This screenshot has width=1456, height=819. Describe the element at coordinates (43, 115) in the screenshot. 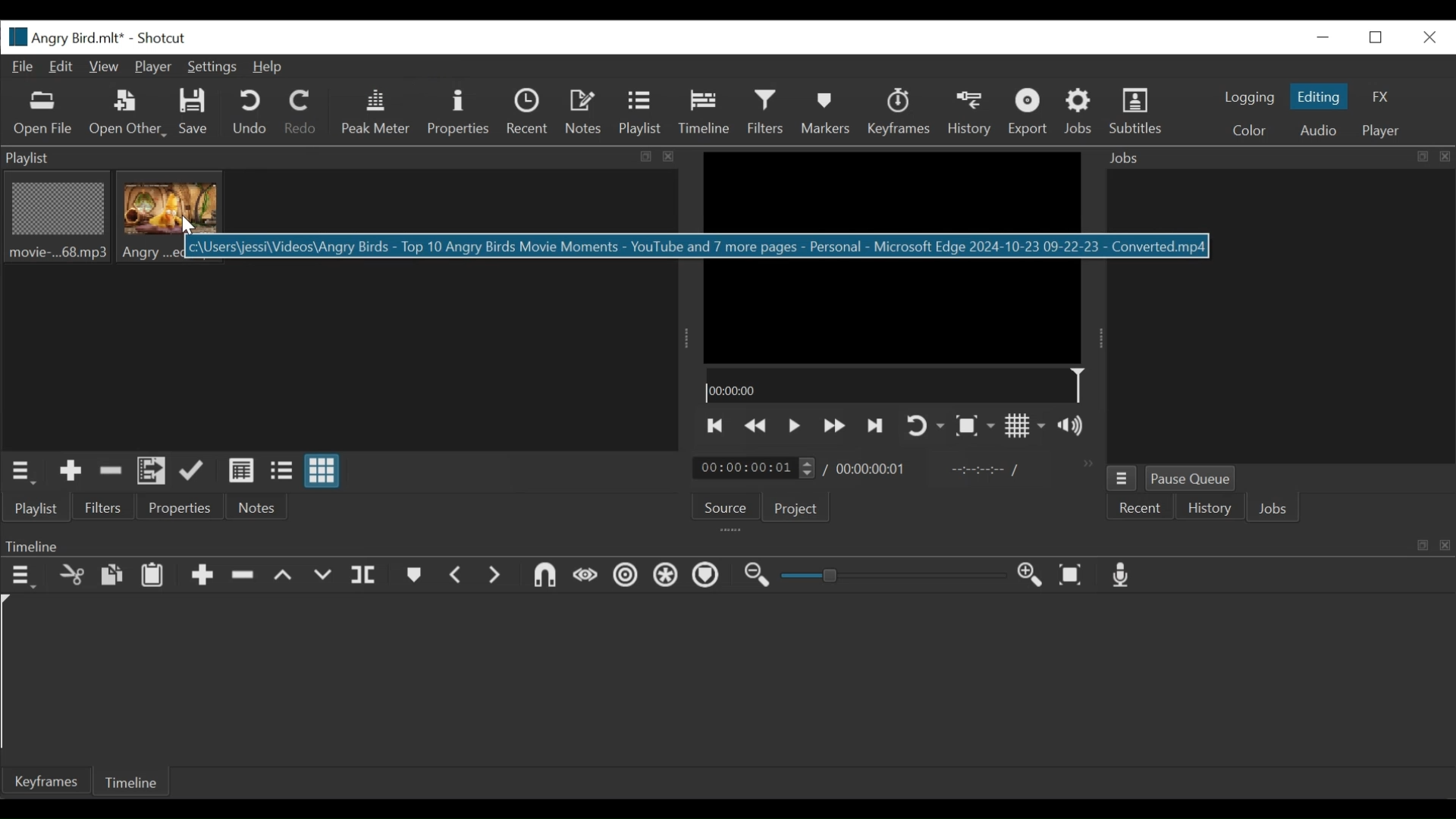

I see `Open File` at that location.